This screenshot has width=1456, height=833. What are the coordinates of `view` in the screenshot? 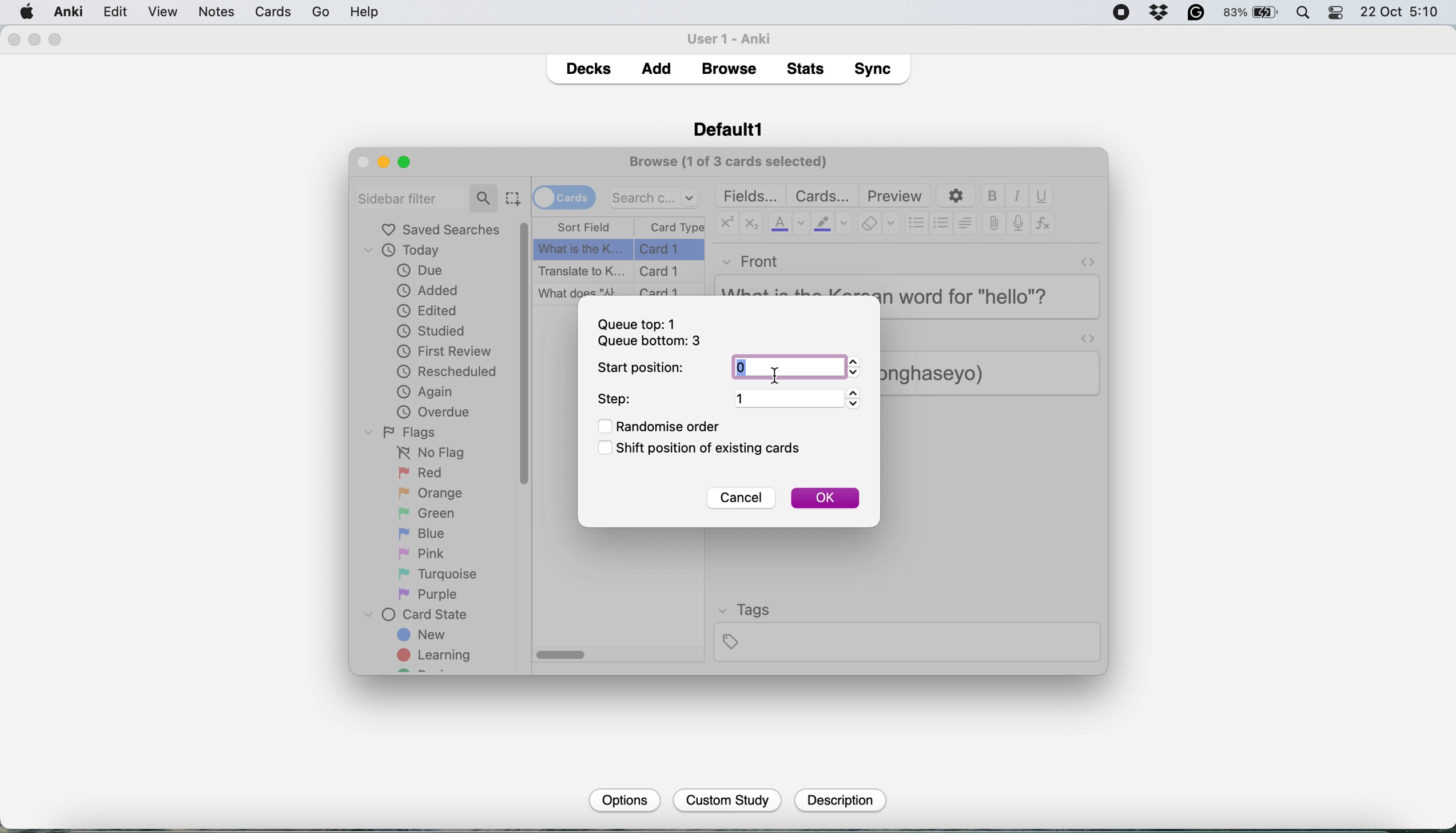 It's located at (209, 13).